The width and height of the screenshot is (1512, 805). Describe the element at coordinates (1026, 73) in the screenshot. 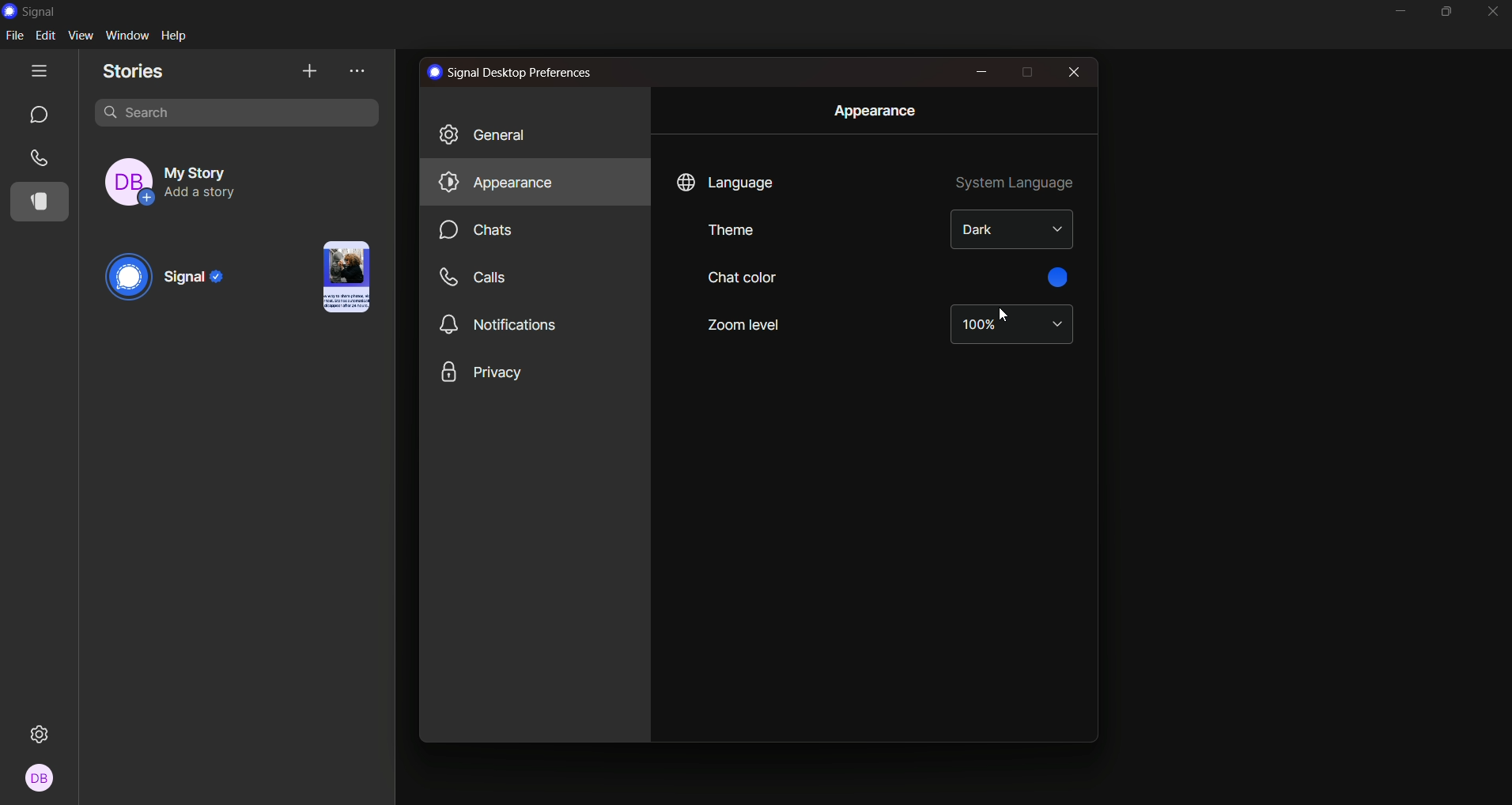

I see `maximize` at that location.